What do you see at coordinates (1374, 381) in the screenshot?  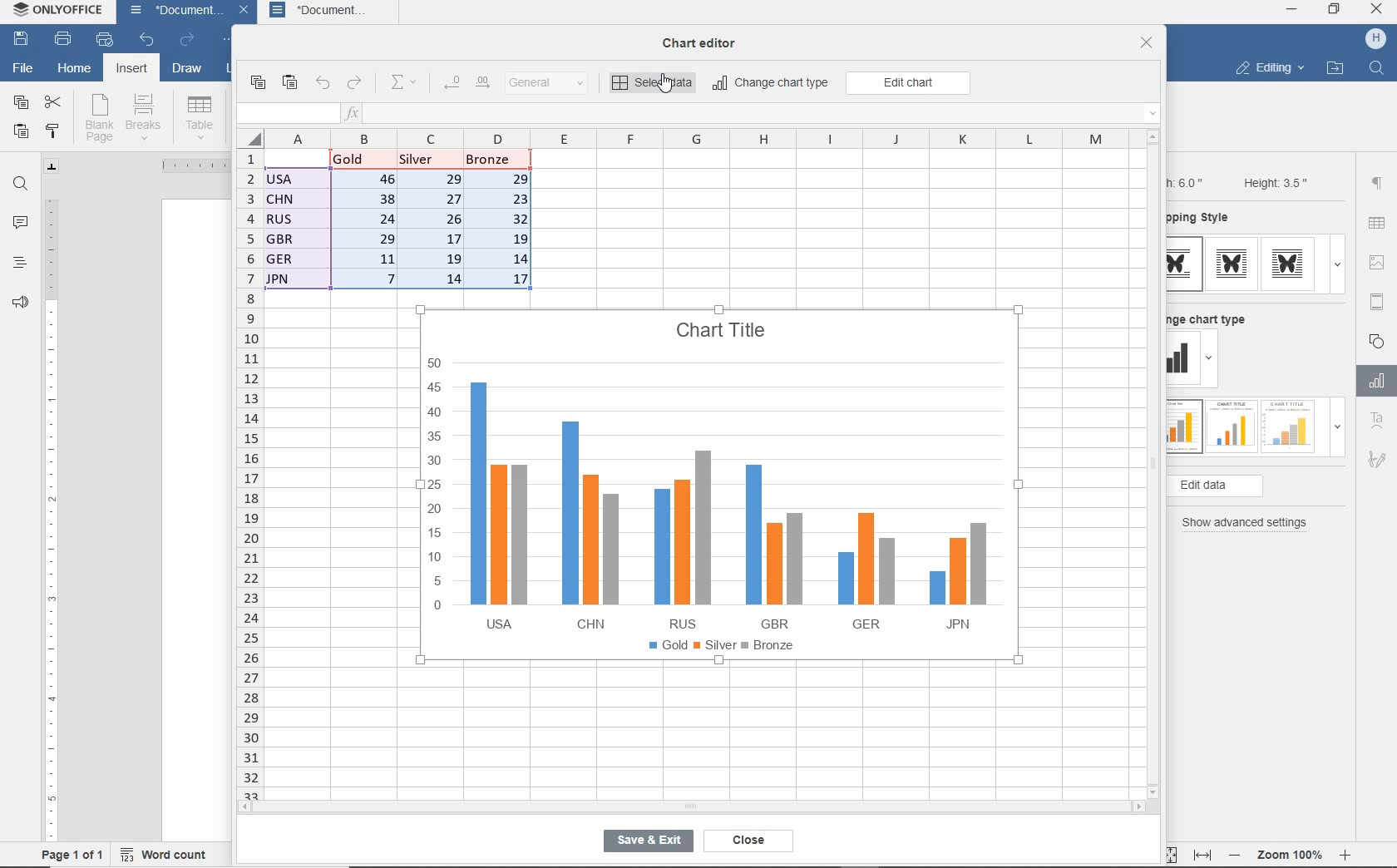 I see `Chart settings` at bounding box center [1374, 381].